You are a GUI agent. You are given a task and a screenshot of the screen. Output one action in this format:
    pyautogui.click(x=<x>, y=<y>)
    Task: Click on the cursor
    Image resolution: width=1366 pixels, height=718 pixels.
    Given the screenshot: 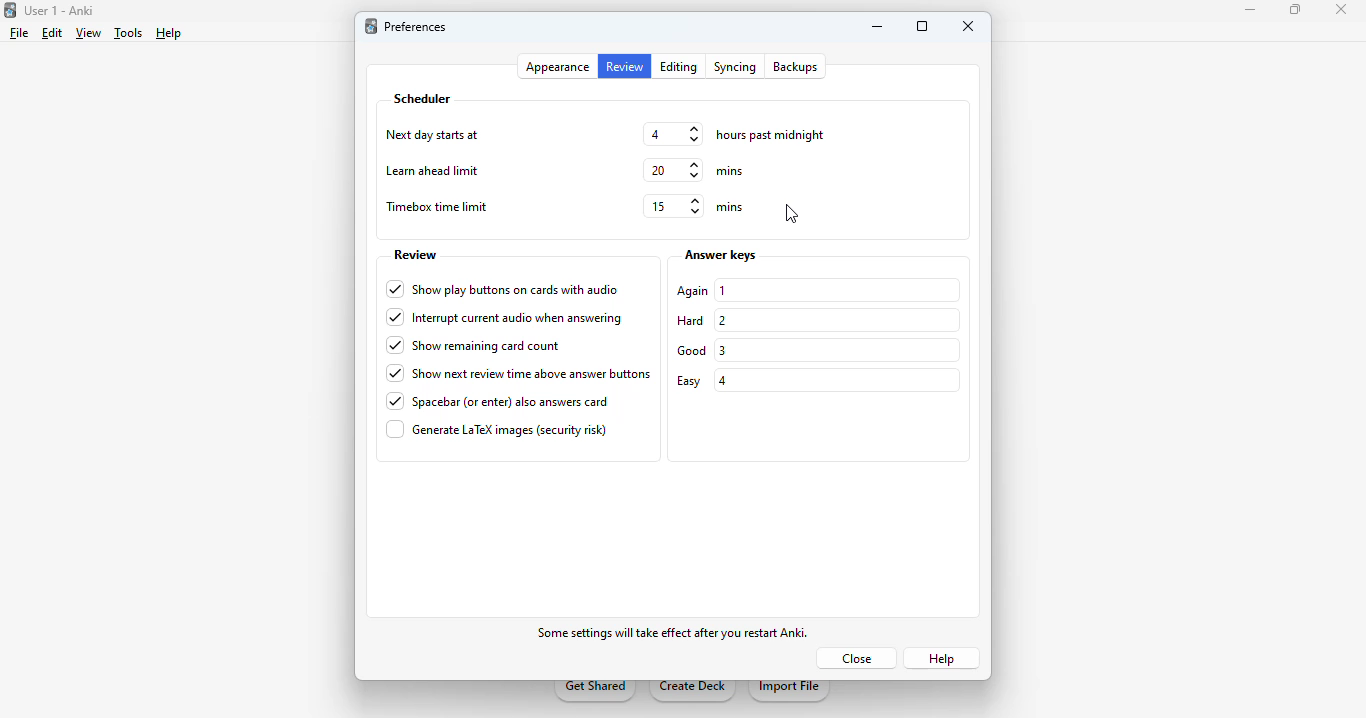 What is the action you would take?
    pyautogui.click(x=791, y=214)
    